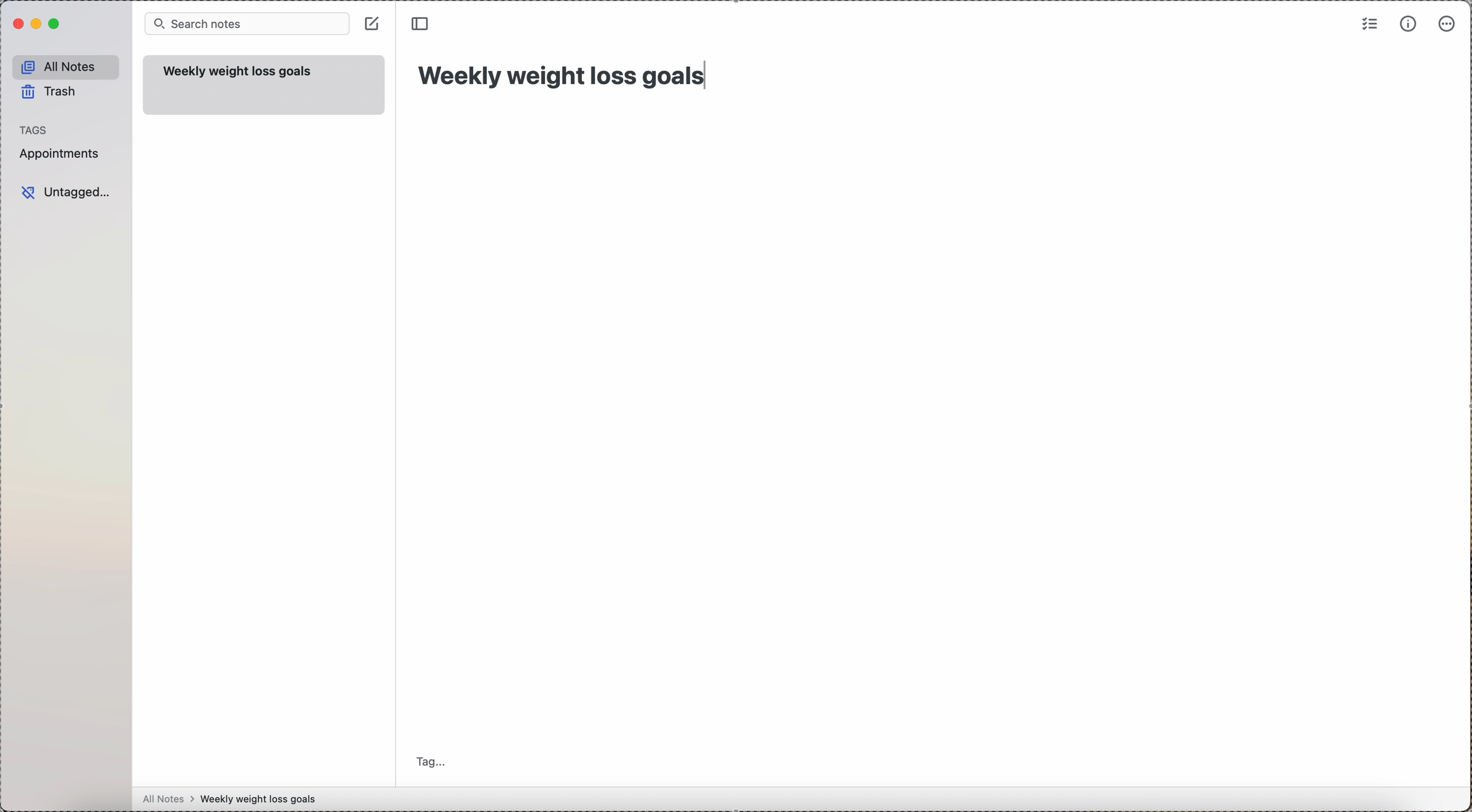  Describe the element at coordinates (266, 85) in the screenshot. I see `weekly weigth loss goals note` at that location.